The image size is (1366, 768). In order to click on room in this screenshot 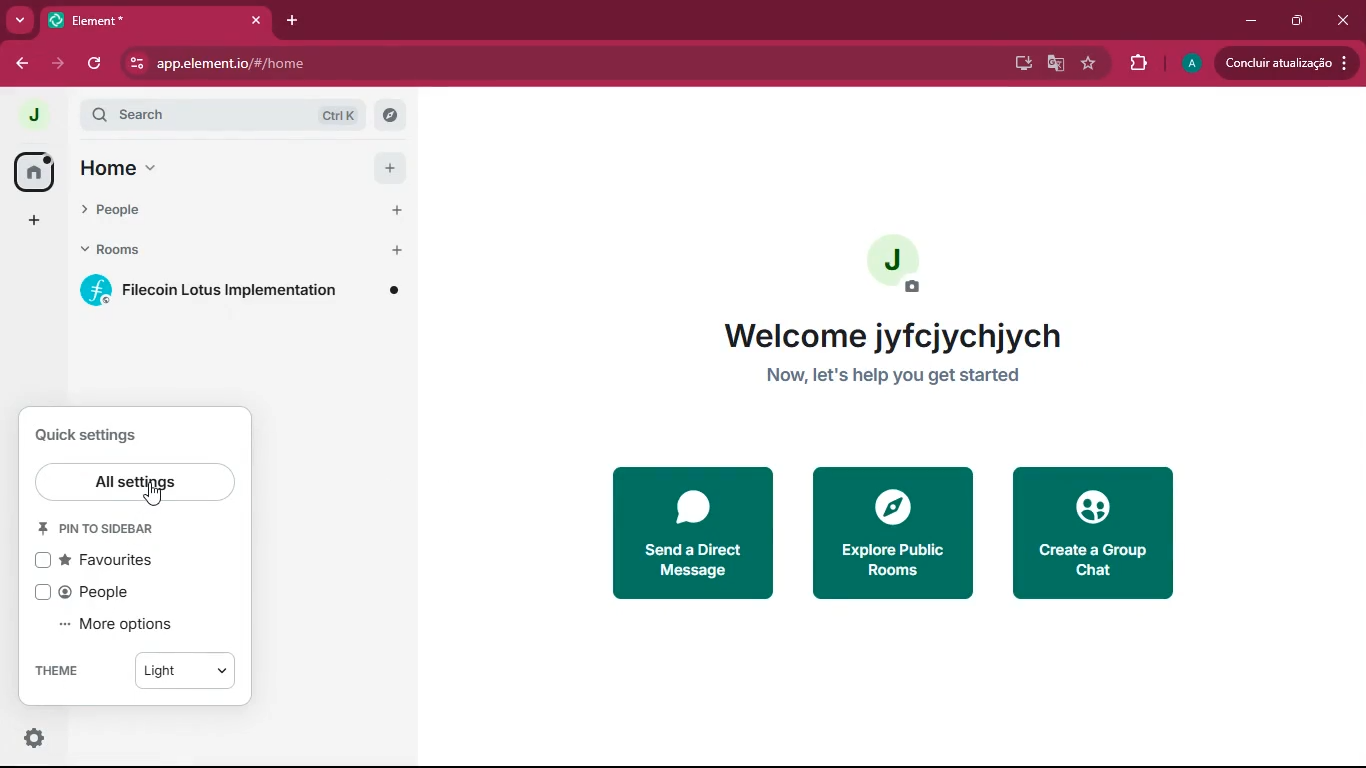, I will do `click(247, 290)`.